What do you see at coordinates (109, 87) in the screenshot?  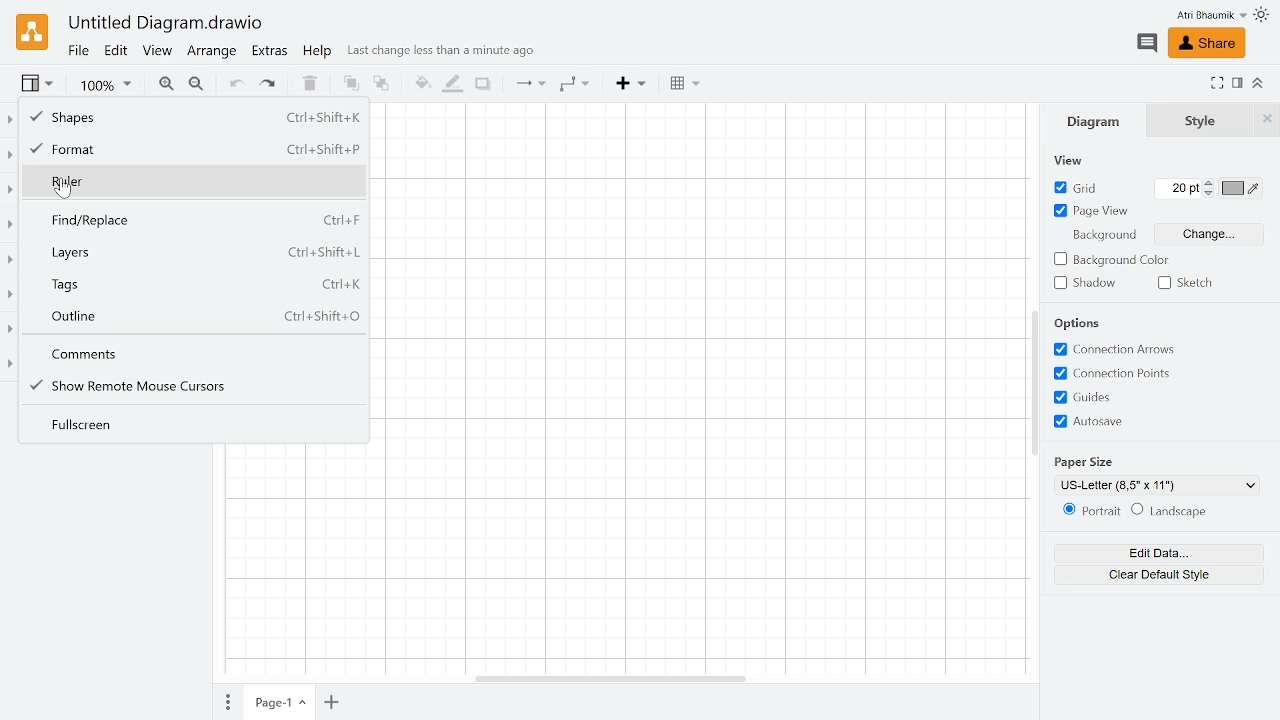 I see `Current zoom` at bounding box center [109, 87].